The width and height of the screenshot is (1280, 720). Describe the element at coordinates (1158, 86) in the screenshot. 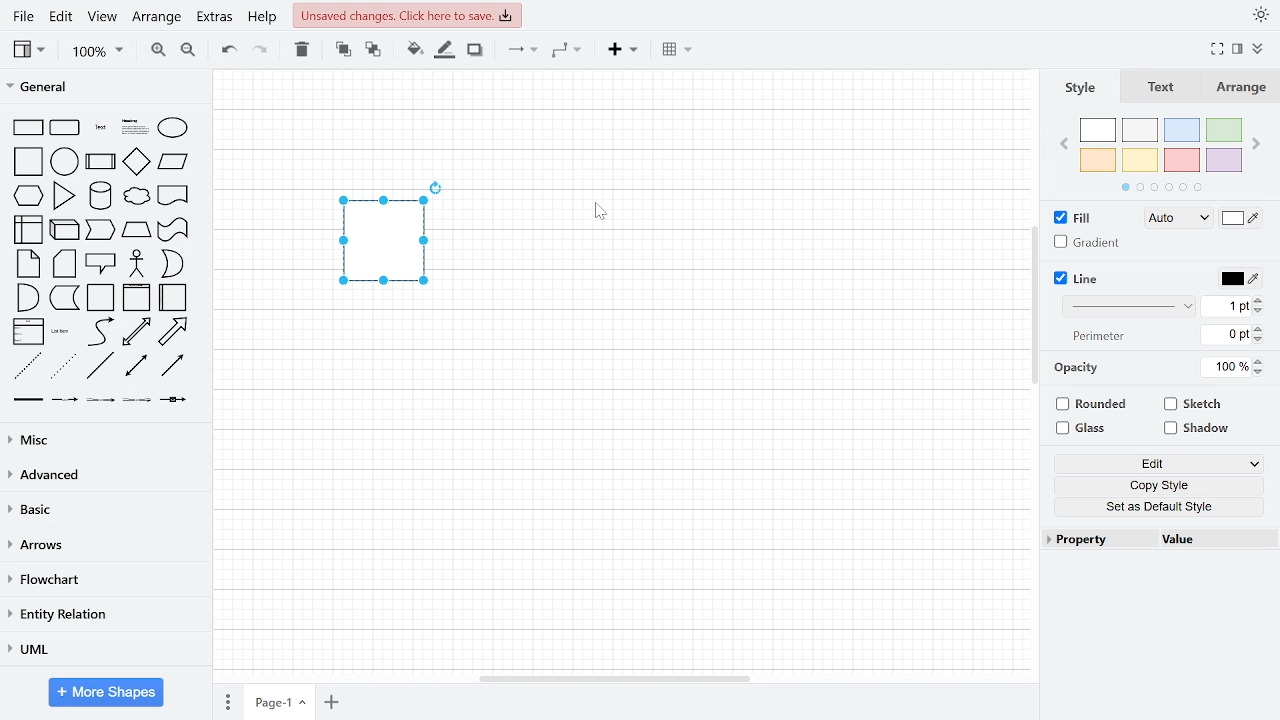

I see `text` at that location.